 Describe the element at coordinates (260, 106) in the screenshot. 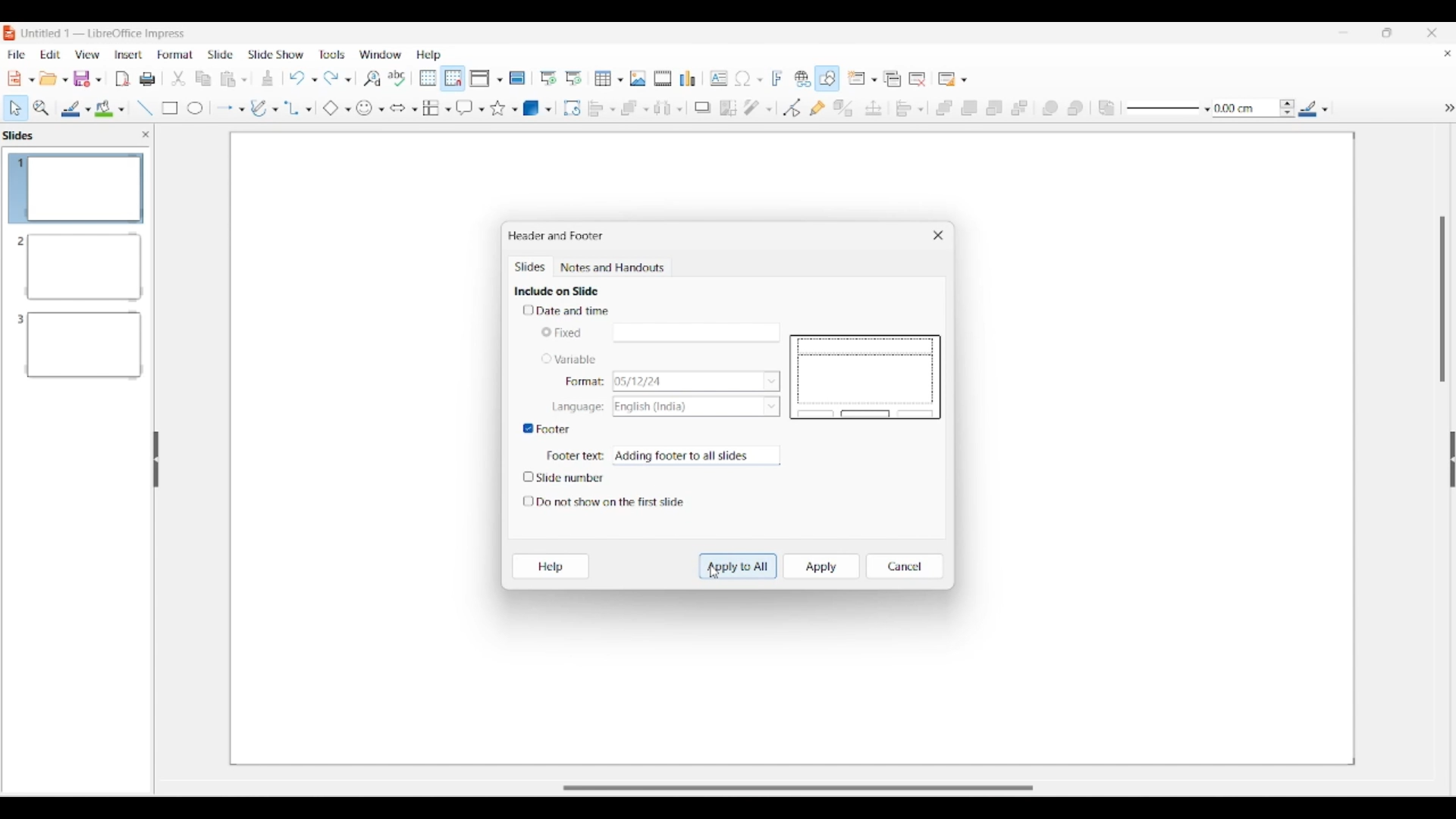

I see `Write` at that location.